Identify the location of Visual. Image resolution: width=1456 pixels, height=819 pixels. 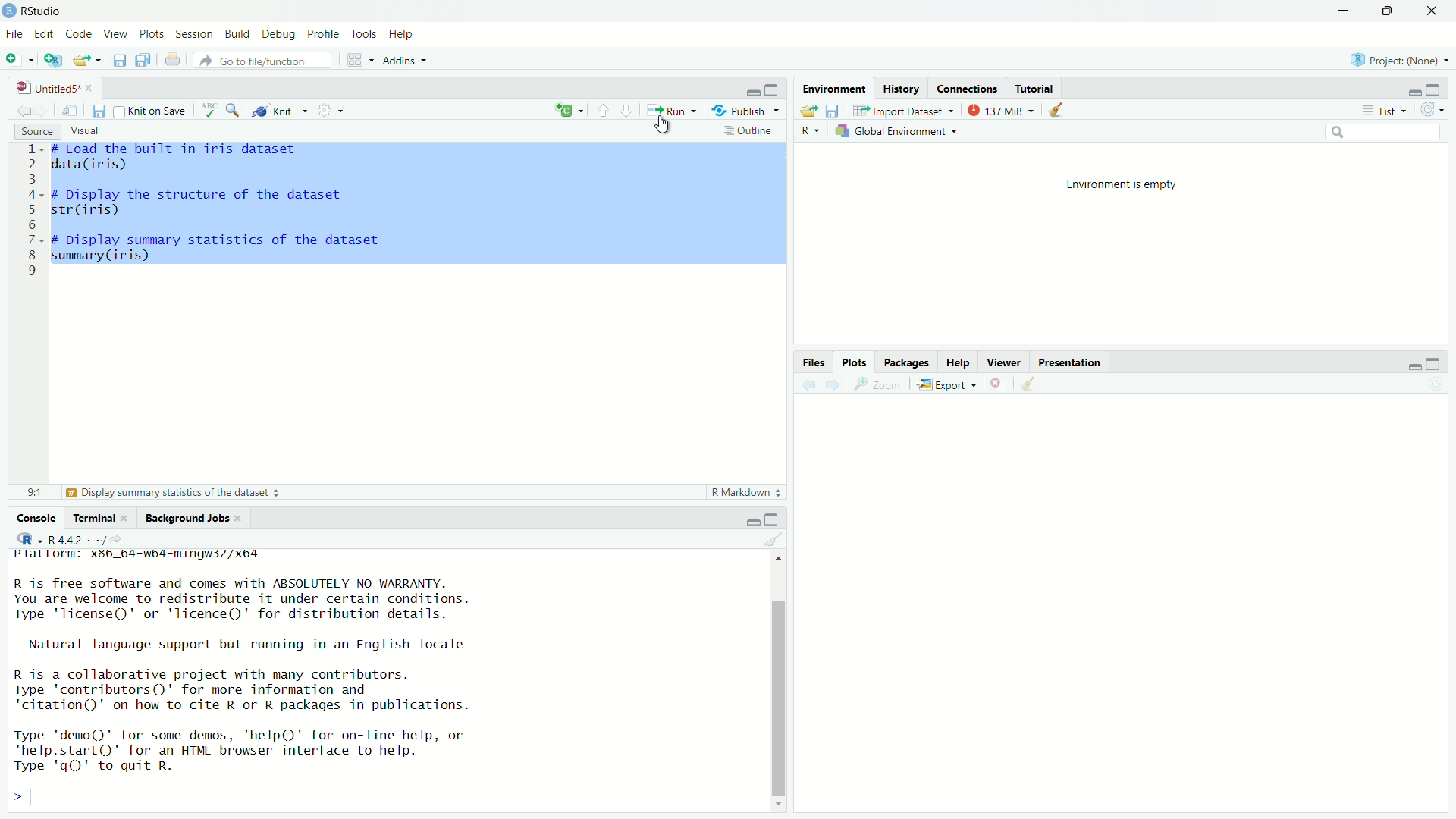
(86, 131).